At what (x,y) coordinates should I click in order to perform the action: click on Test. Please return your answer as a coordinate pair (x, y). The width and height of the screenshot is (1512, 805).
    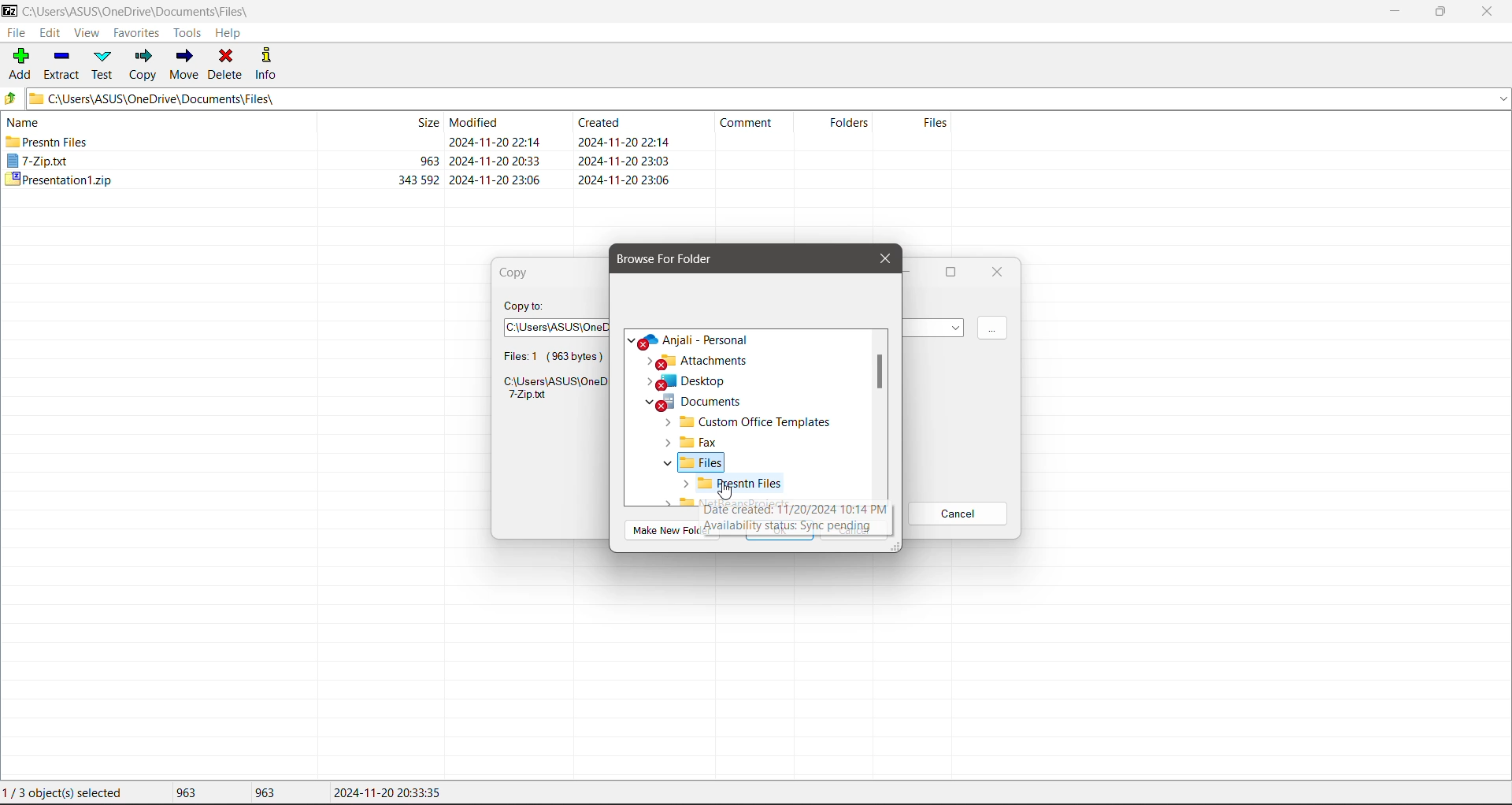
    Looking at the image, I should click on (104, 65).